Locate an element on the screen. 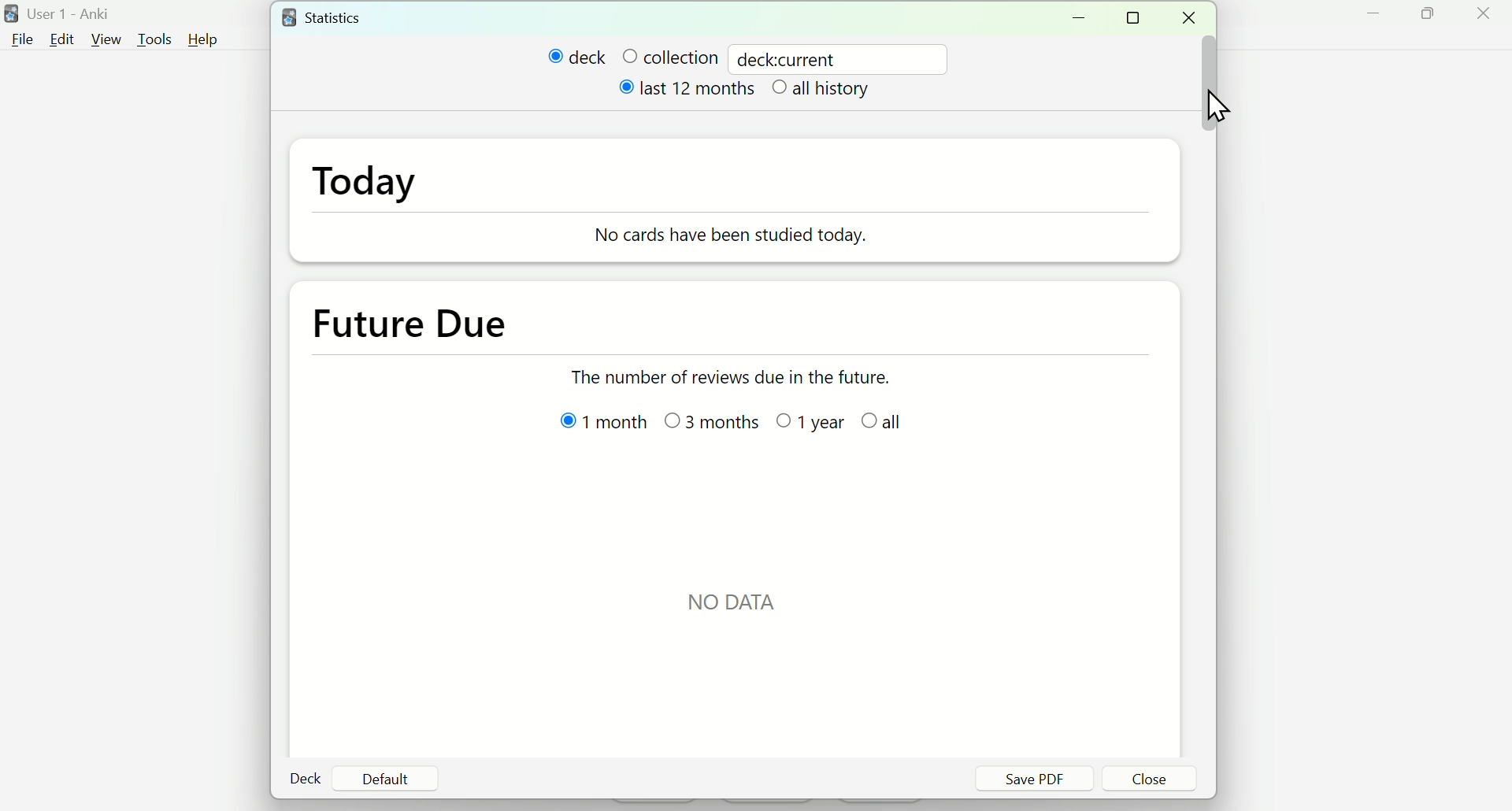  last 12 months is located at coordinates (689, 93).